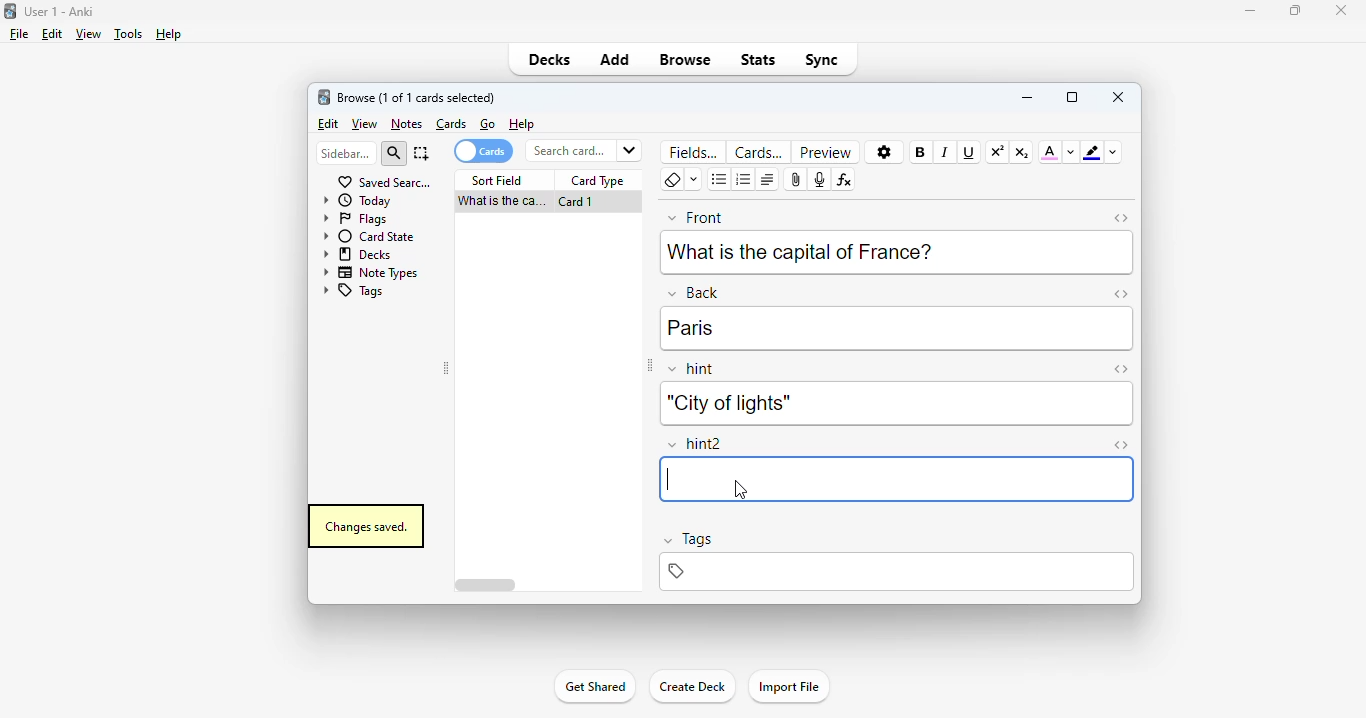 The height and width of the screenshot is (718, 1366). What do you see at coordinates (594, 686) in the screenshot?
I see `get shared` at bounding box center [594, 686].